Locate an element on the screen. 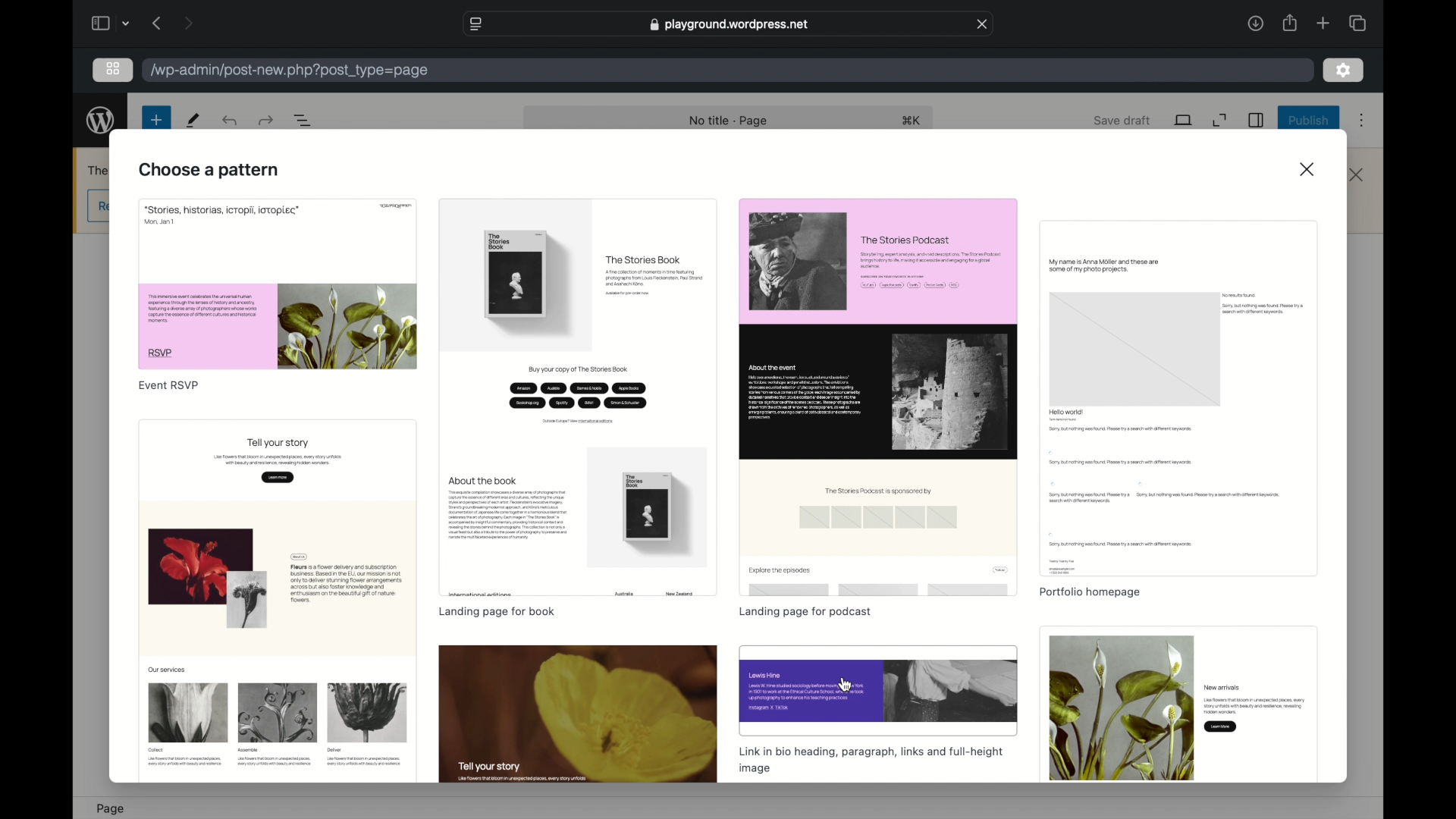  settings is located at coordinates (1344, 71).